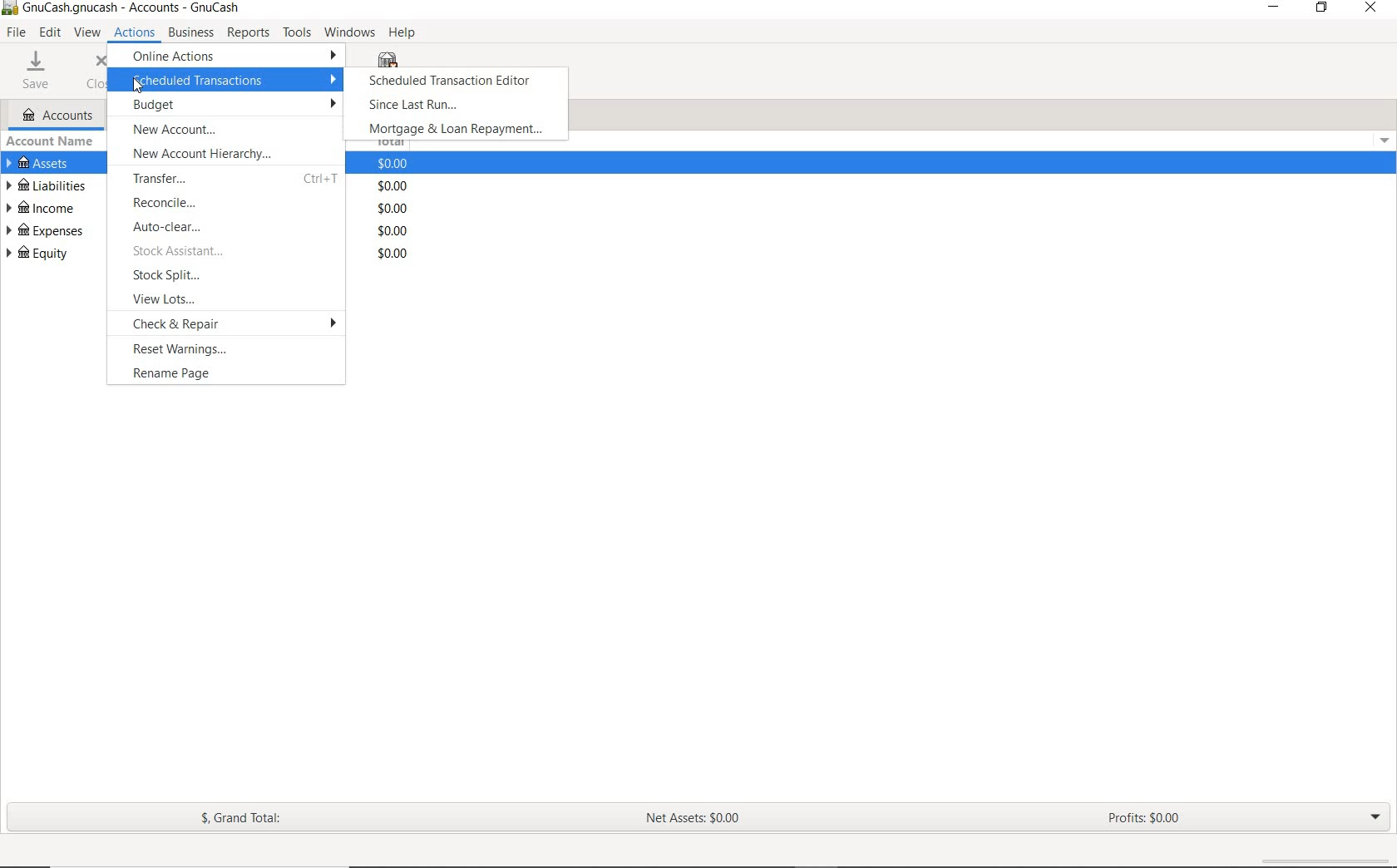 The image size is (1397, 868). Describe the element at coordinates (348, 32) in the screenshot. I see `WINDOWS` at that location.